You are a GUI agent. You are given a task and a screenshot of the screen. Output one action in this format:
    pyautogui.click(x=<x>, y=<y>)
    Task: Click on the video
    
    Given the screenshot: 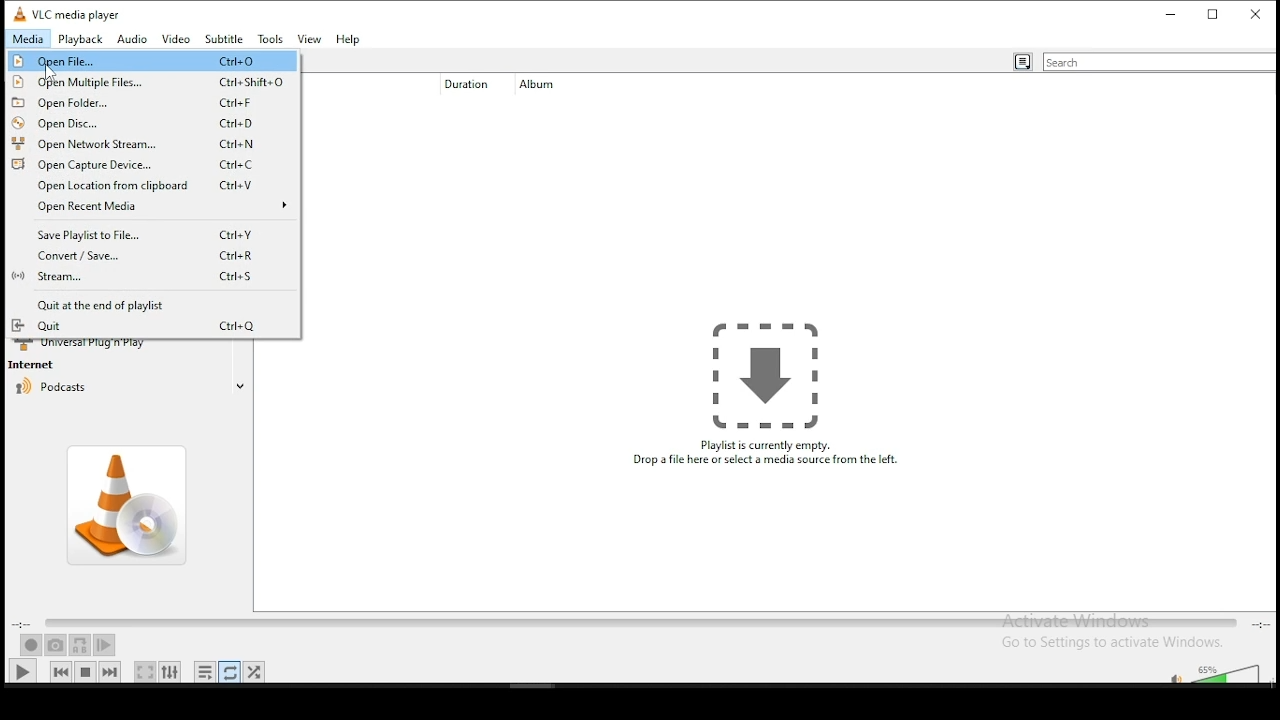 What is the action you would take?
    pyautogui.click(x=177, y=40)
    